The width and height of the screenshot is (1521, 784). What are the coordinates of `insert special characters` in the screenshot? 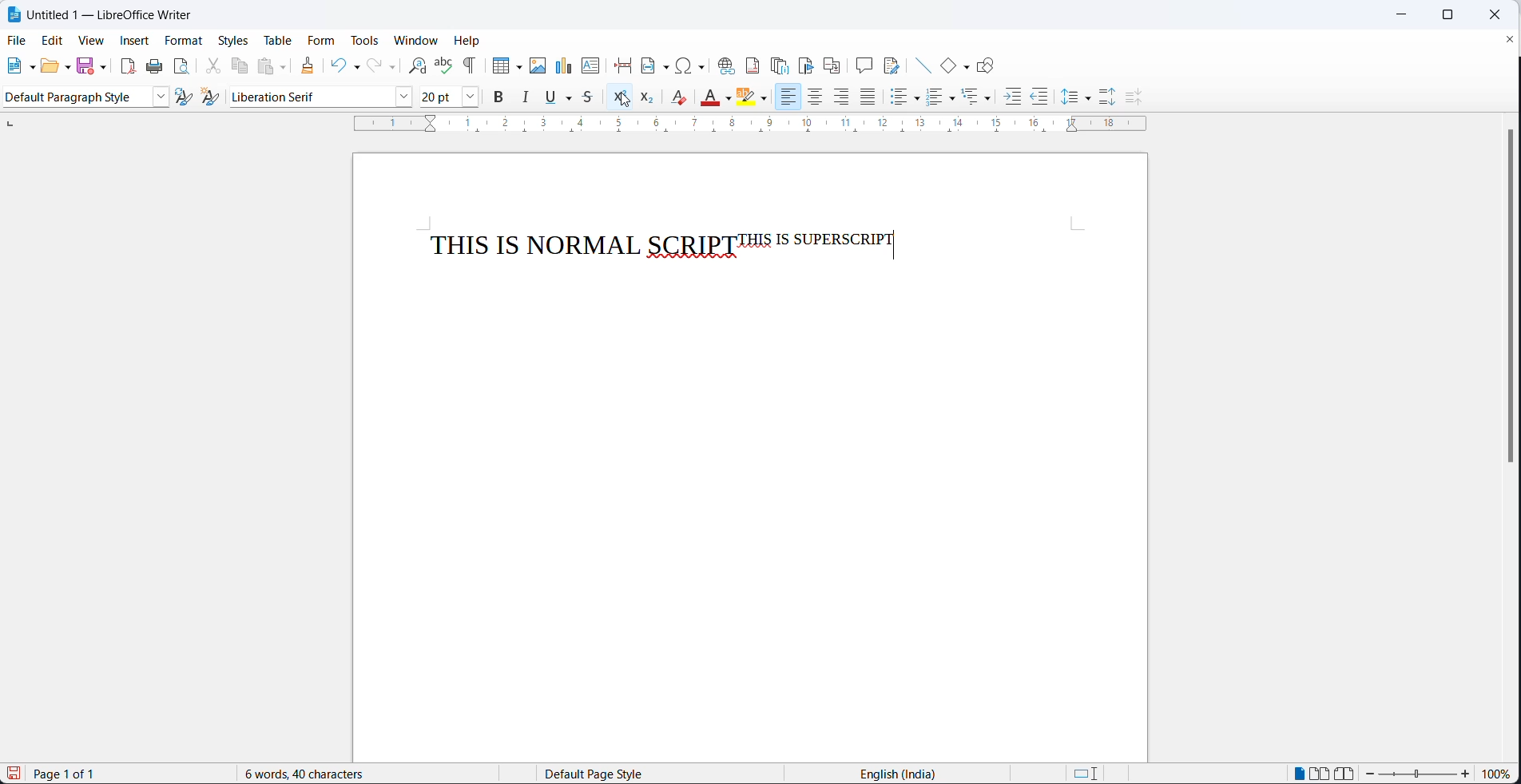 It's located at (693, 65).